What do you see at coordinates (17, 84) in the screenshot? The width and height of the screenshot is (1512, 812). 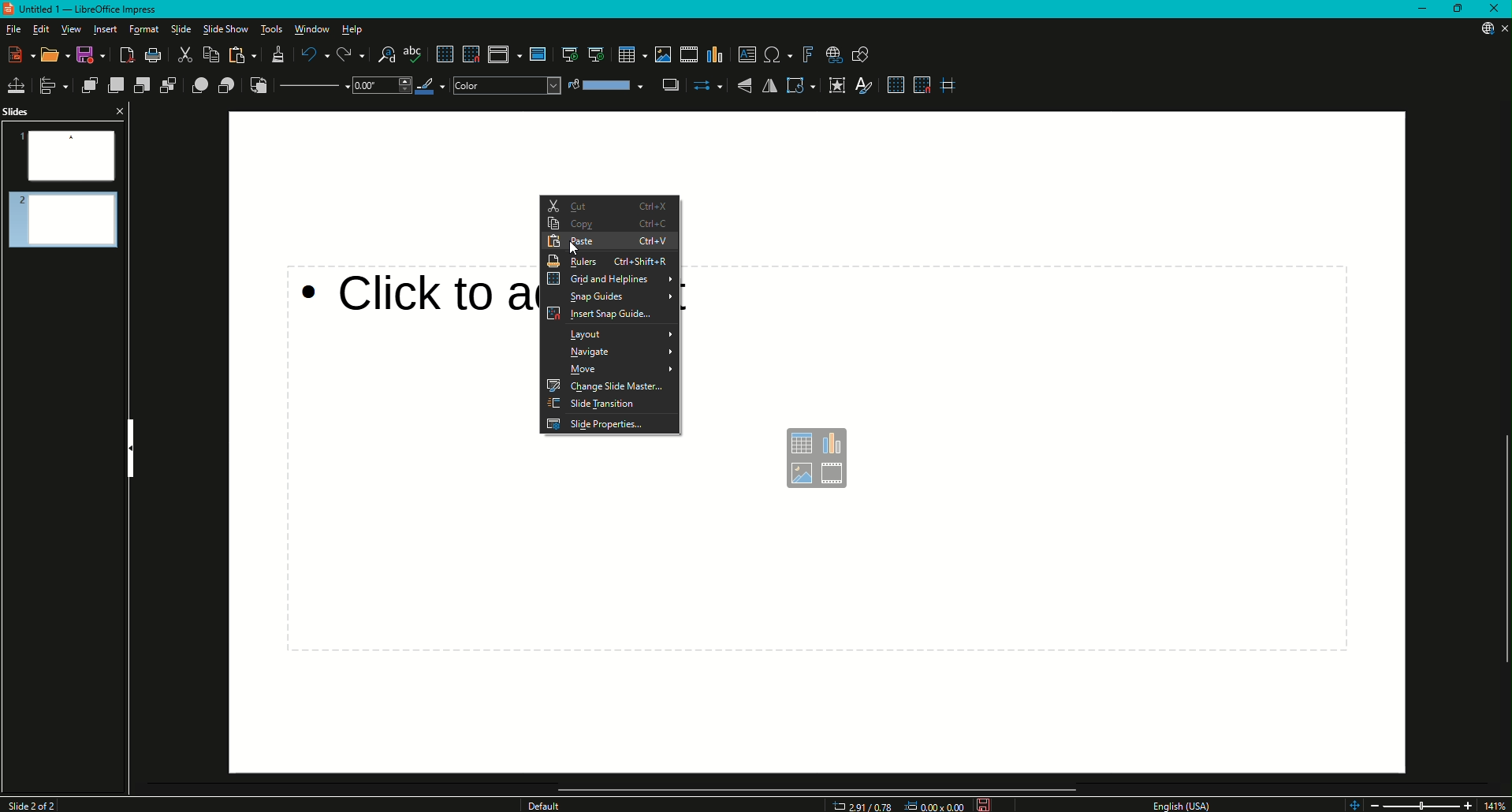 I see `Position and Size` at bounding box center [17, 84].